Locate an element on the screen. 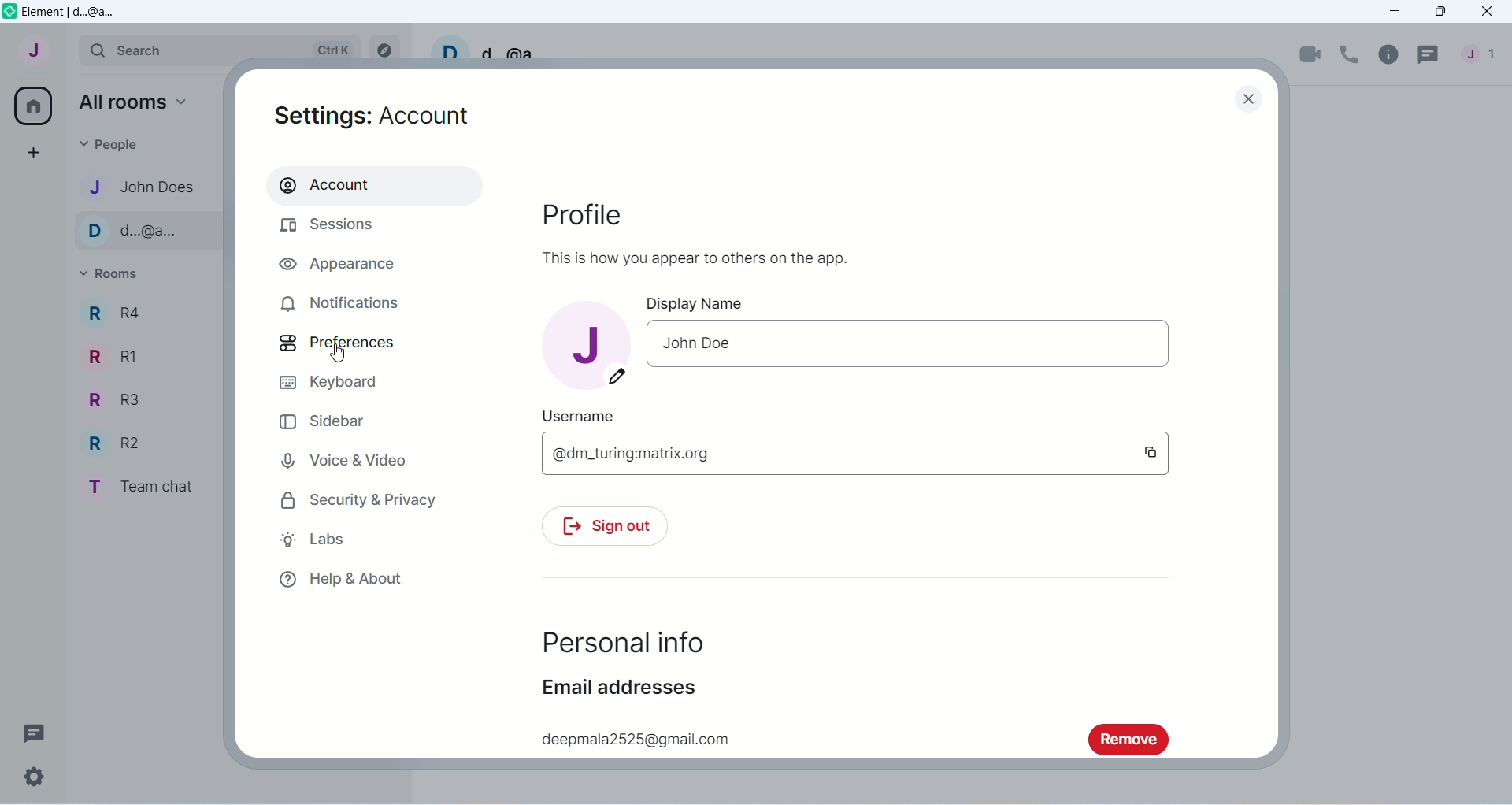 The width and height of the screenshot is (1512, 805). People is located at coordinates (1483, 60).